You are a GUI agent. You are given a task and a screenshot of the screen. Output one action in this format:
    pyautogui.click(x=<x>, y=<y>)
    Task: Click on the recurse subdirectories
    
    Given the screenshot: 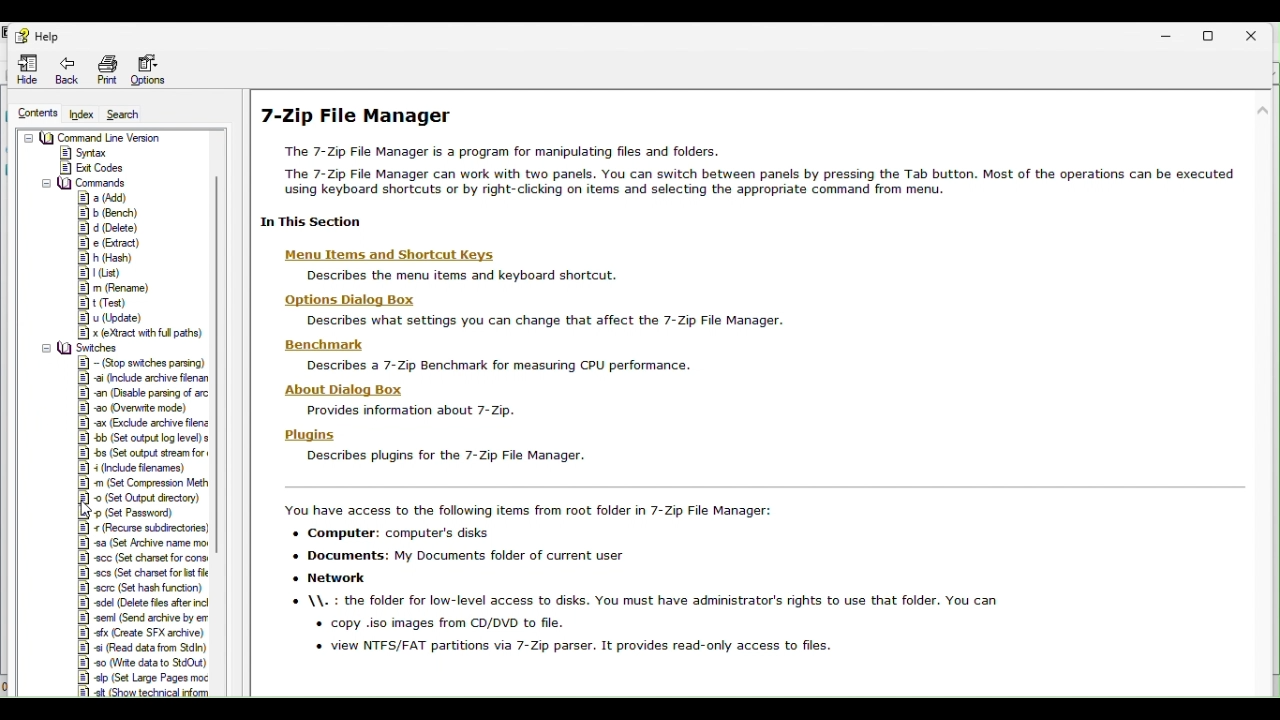 What is the action you would take?
    pyautogui.click(x=142, y=528)
    